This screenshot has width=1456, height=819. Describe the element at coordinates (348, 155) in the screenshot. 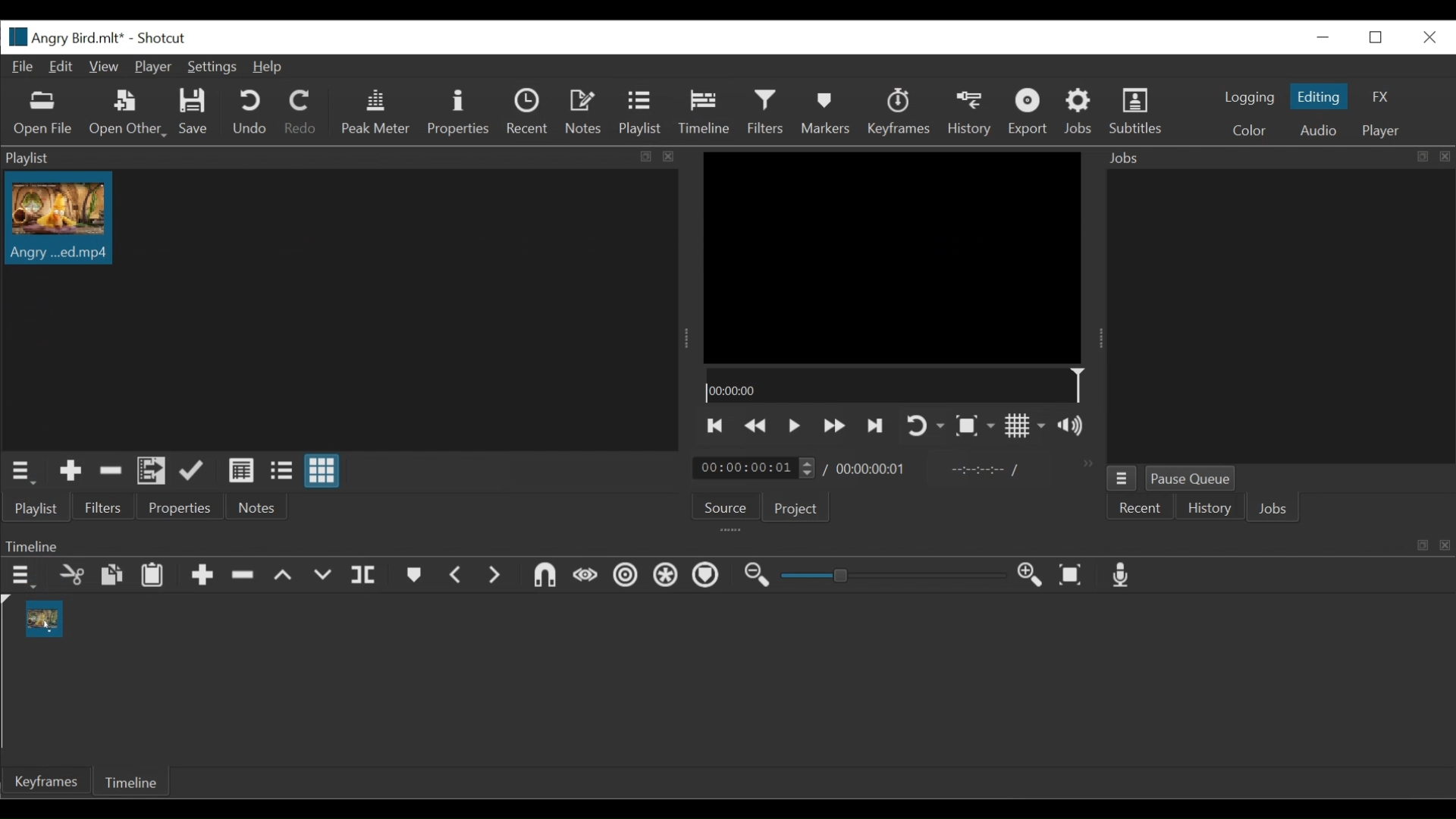

I see `Playlist Panel` at that location.